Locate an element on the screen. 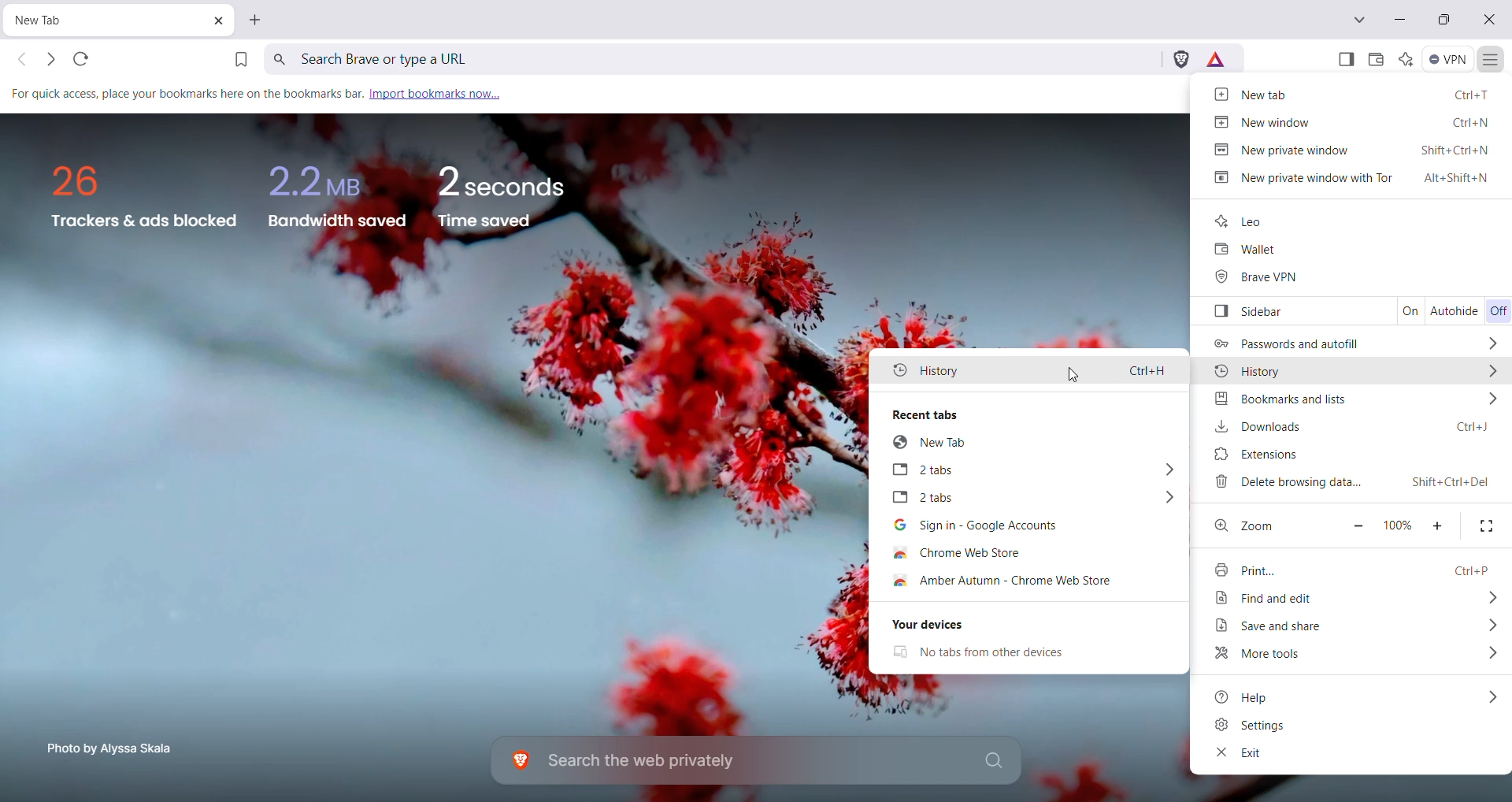 This screenshot has height=802, width=1512. No tabs from other devices is located at coordinates (1001, 652).